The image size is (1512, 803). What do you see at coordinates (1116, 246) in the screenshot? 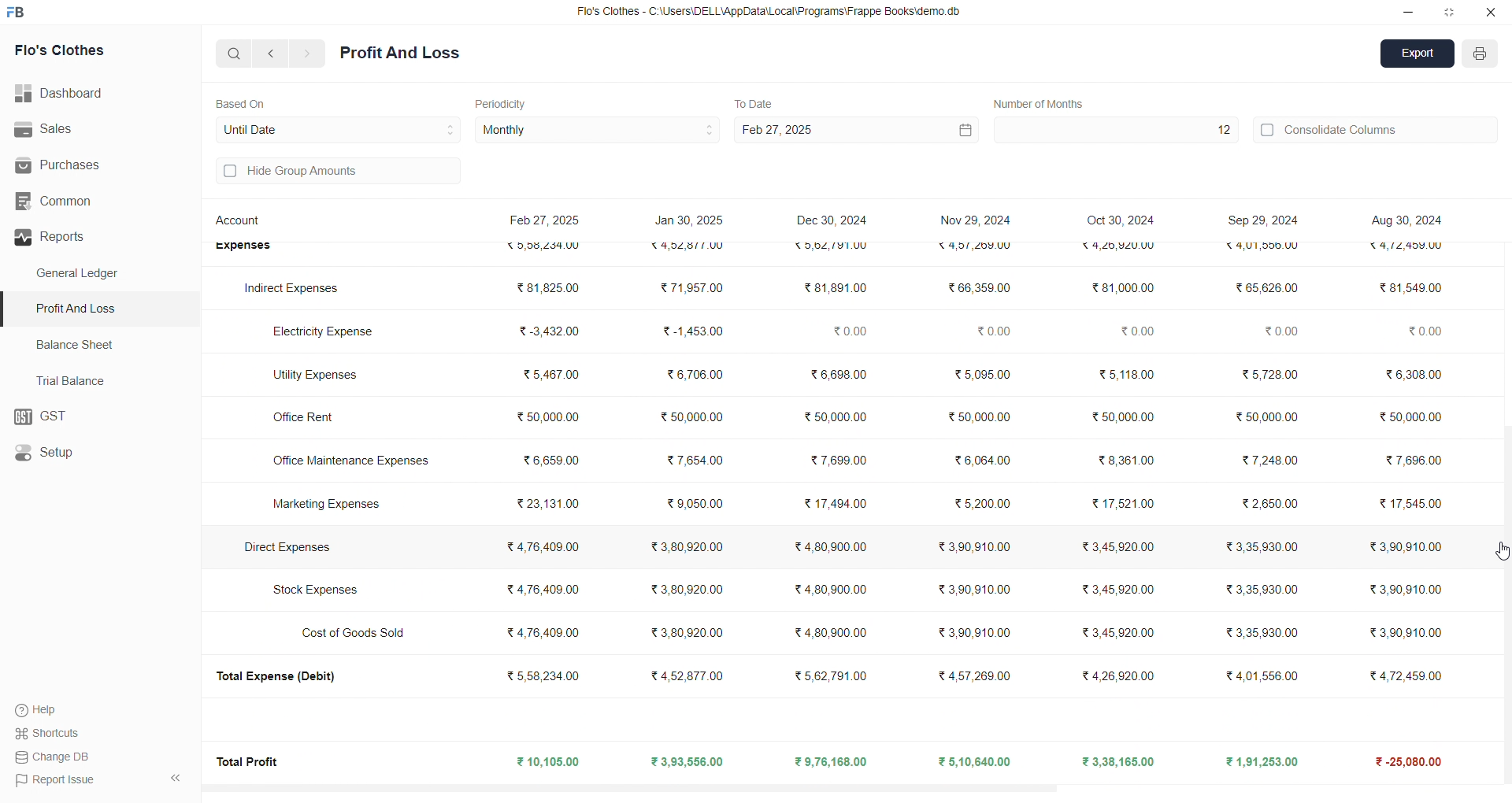
I see `₹4,26,920.00` at bounding box center [1116, 246].